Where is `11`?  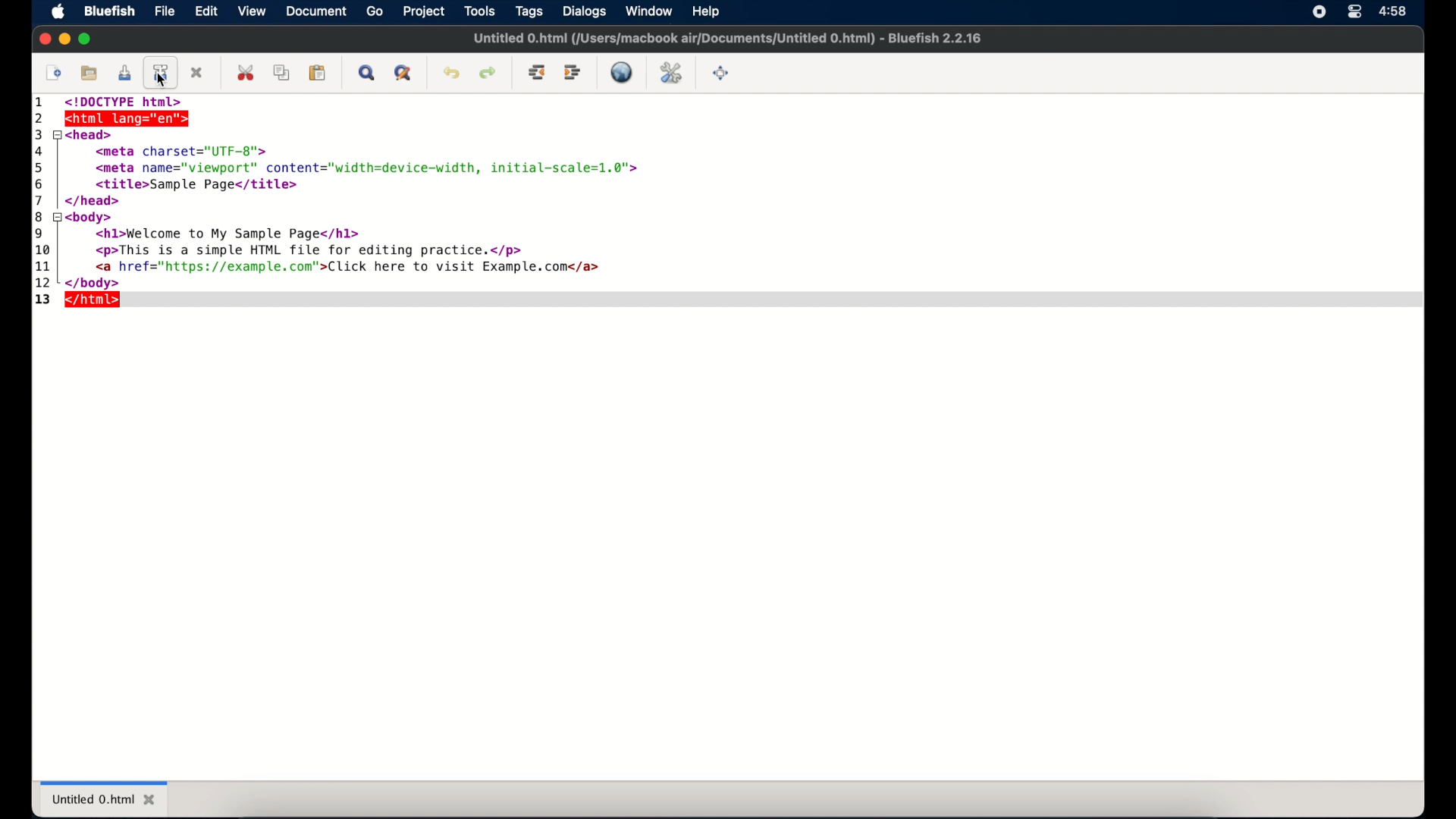
11 is located at coordinates (45, 266).